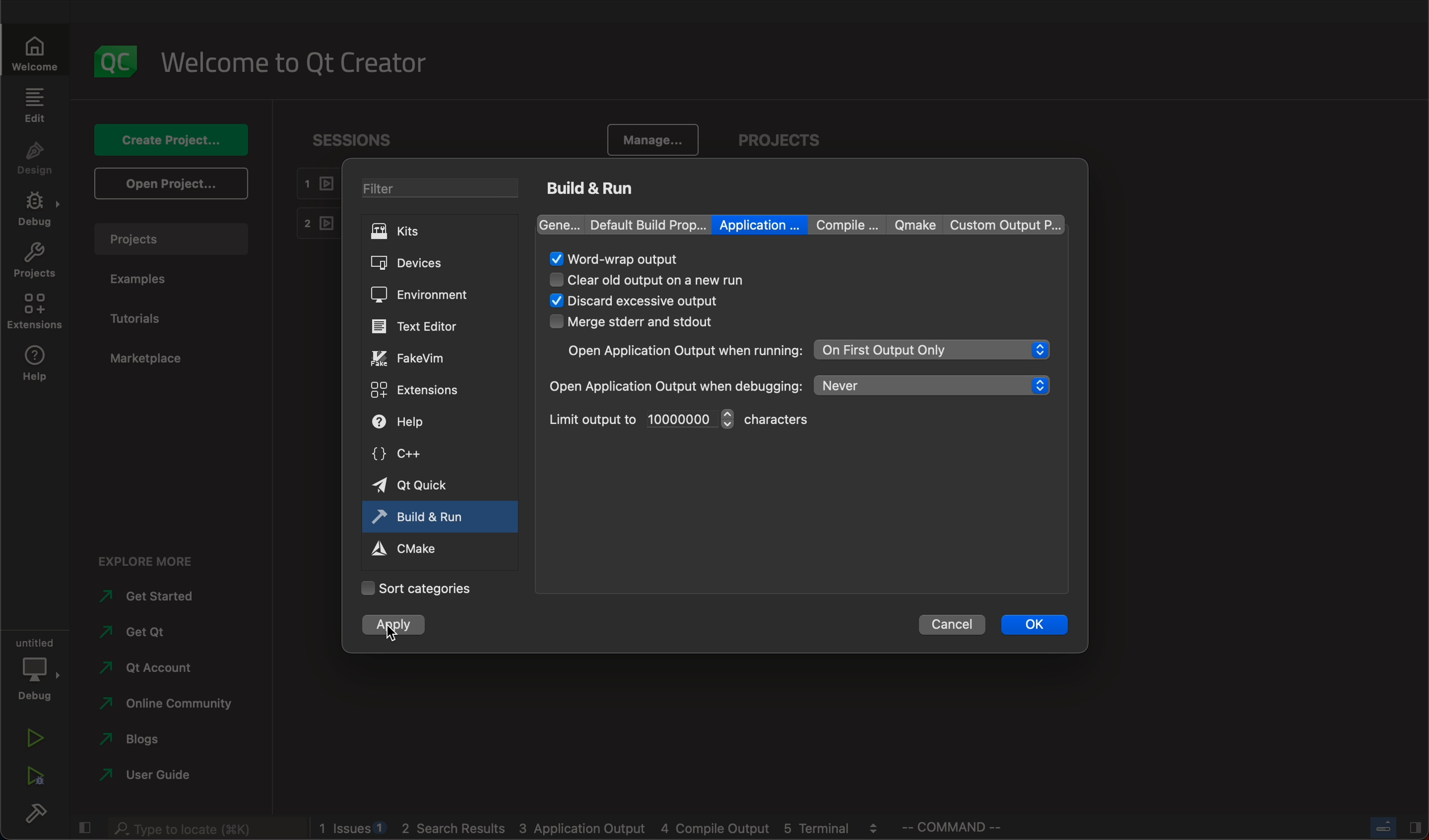 This screenshot has width=1429, height=840. I want to click on debug, so click(33, 670).